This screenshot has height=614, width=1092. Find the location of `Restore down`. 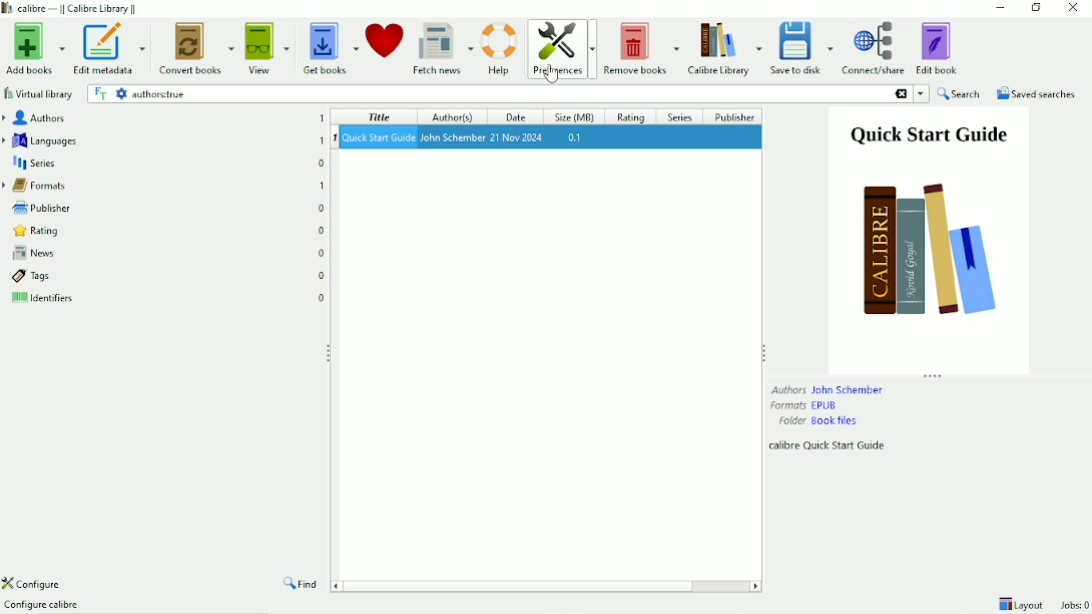

Restore down is located at coordinates (1038, 8).